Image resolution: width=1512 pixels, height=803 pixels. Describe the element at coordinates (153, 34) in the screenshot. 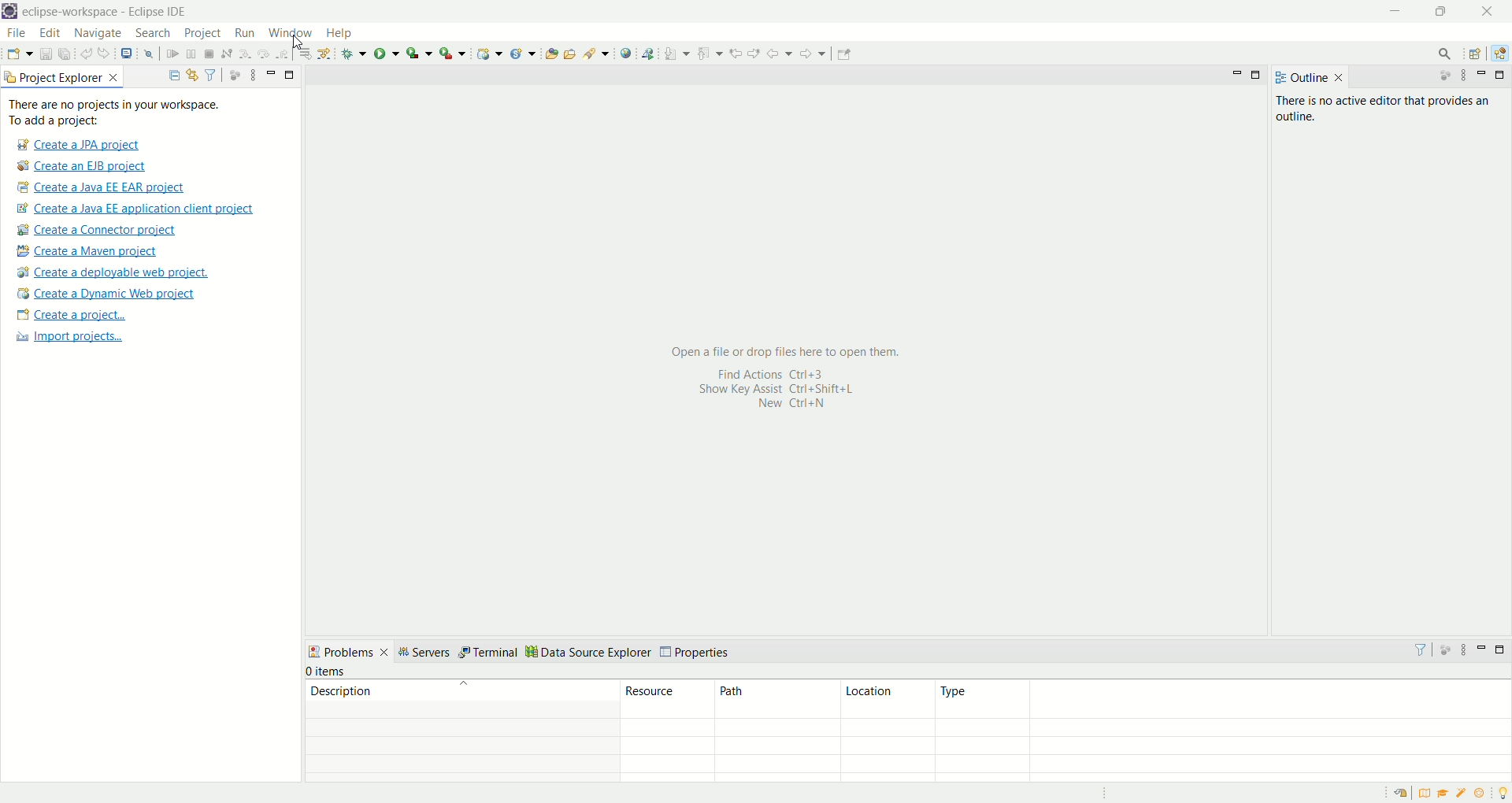

I see `search` at that location.